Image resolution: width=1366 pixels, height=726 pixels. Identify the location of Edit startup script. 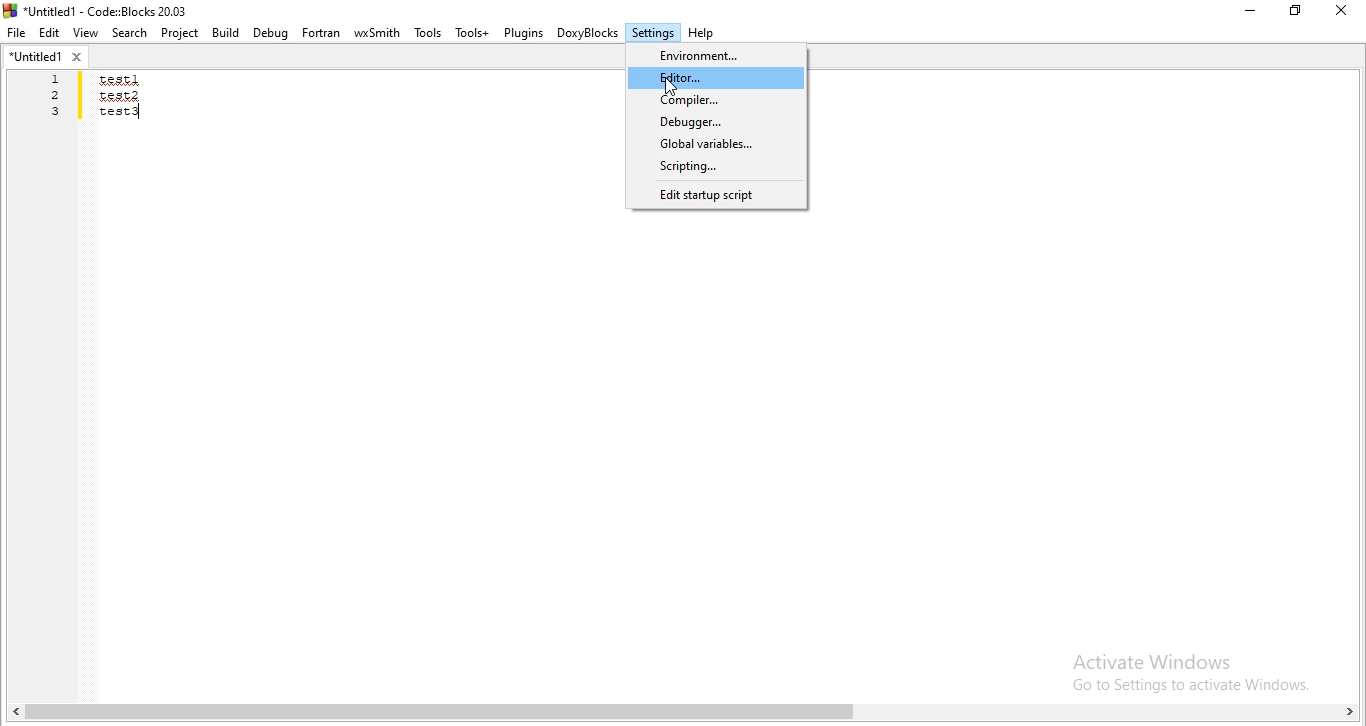
(714, 197).